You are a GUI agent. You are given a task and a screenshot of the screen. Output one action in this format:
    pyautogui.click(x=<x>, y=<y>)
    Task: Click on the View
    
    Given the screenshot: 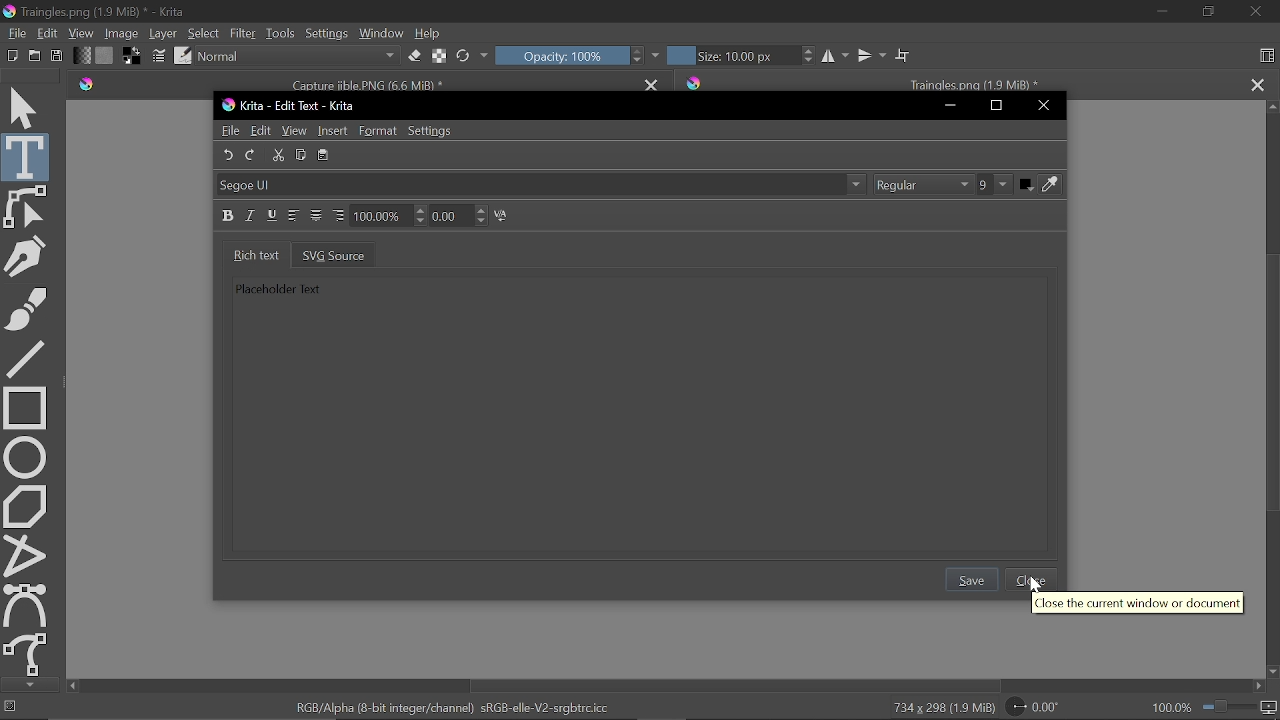 What is the action you would take?
    pyautogui.click(x=295, y=131)
    